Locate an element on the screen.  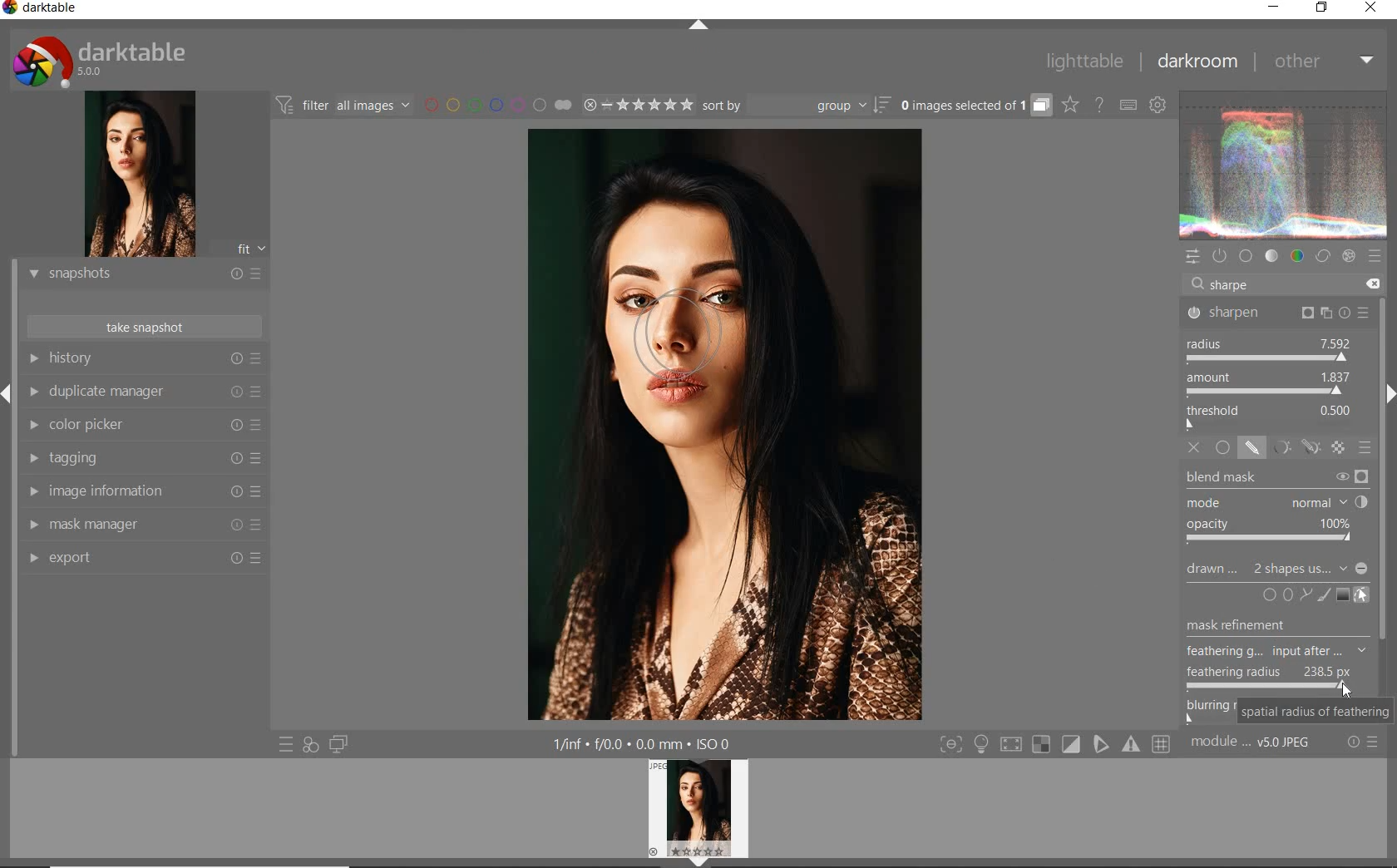
light sign  is located at coordinates (983, 745).